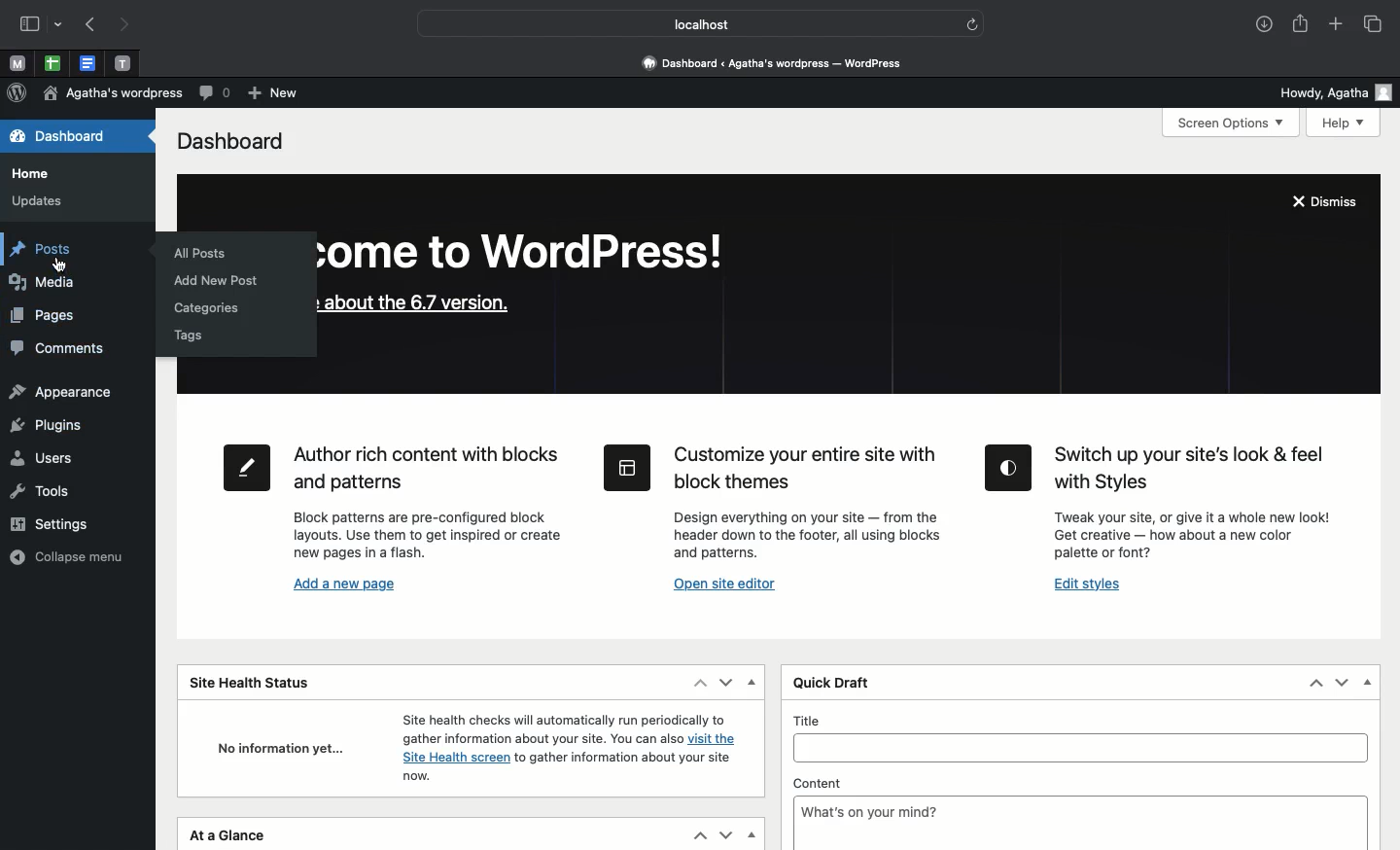 The height and width of the screenshot is (850, 1400). Describe the element at coordinates (688, 23) in the screenshot. I see `Local host` at that location.